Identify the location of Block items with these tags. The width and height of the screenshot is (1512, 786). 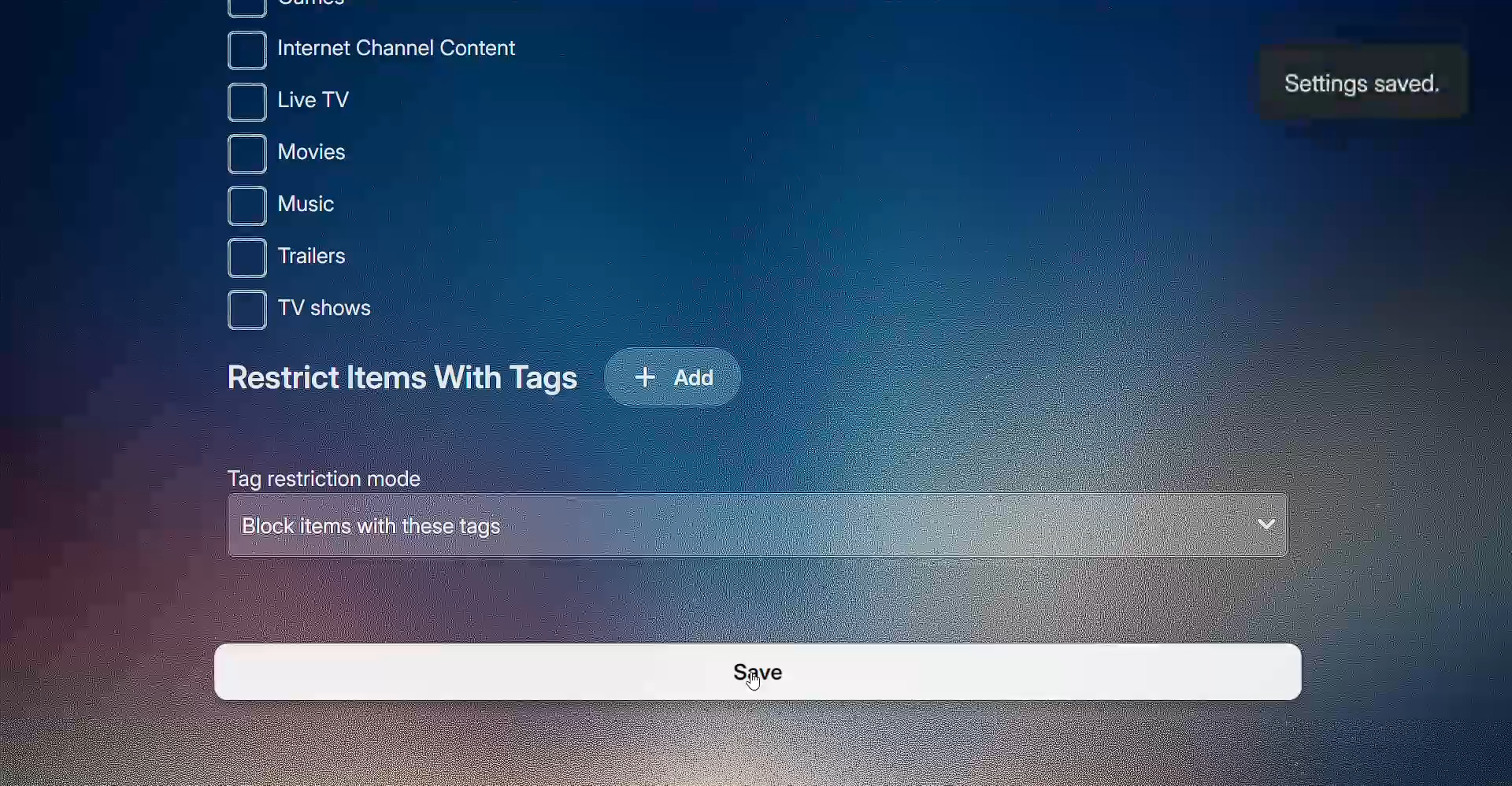
(757, 528).